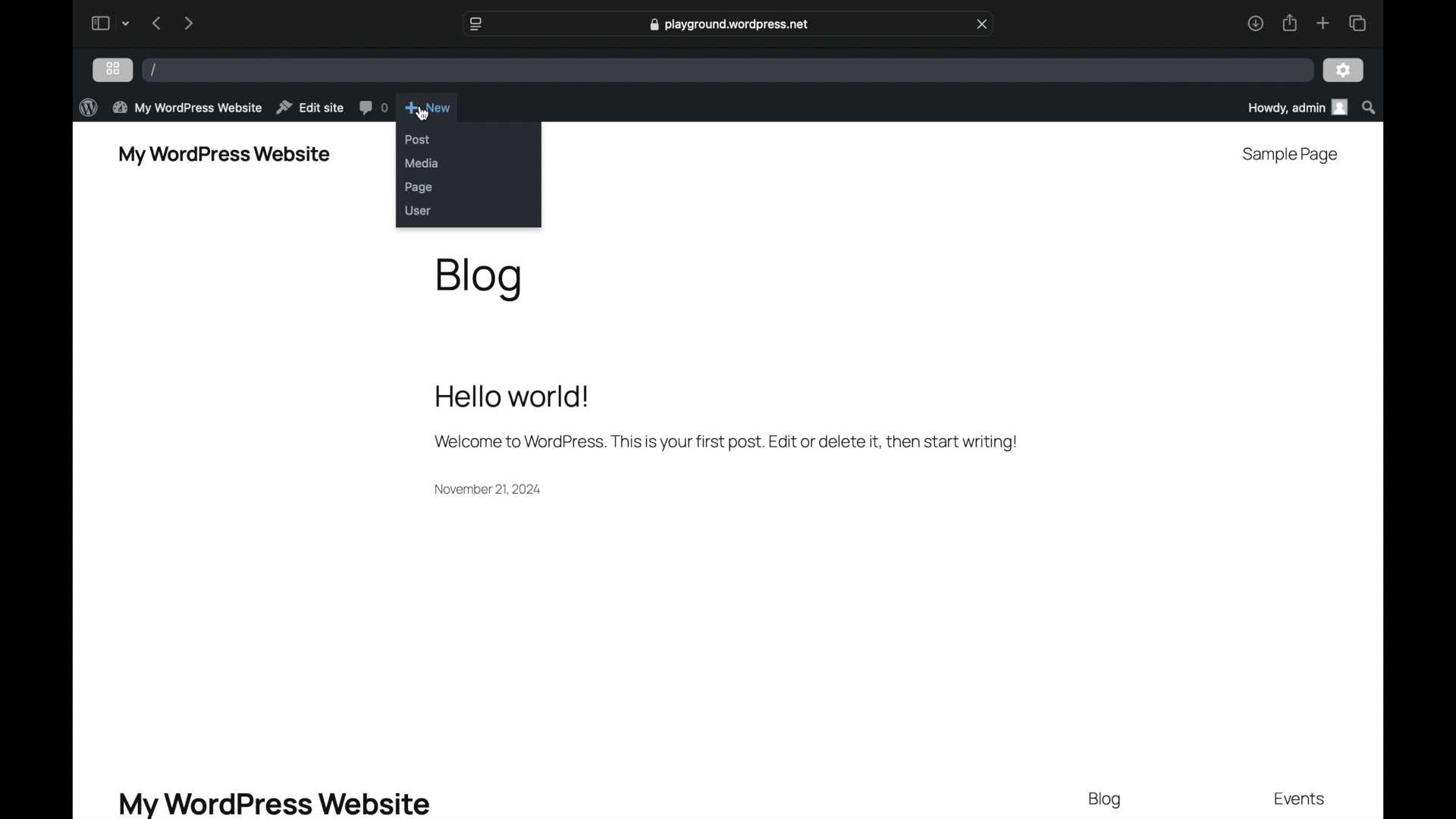 The width and height of the screenshot is (1456, 819). What do you see at coordinates (729, 23) in the screenshot?
I see `web address` at bounding box center [729, 23].